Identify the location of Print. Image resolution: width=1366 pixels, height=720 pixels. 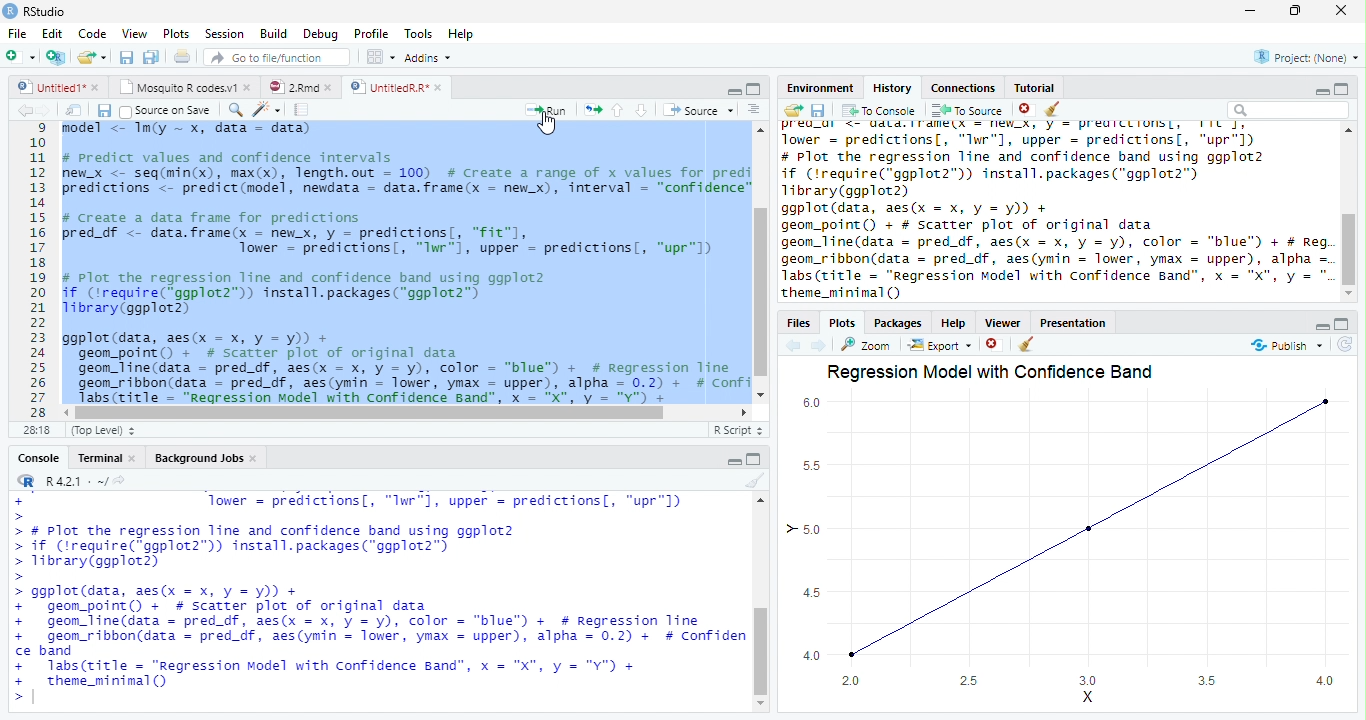
(183, 58).